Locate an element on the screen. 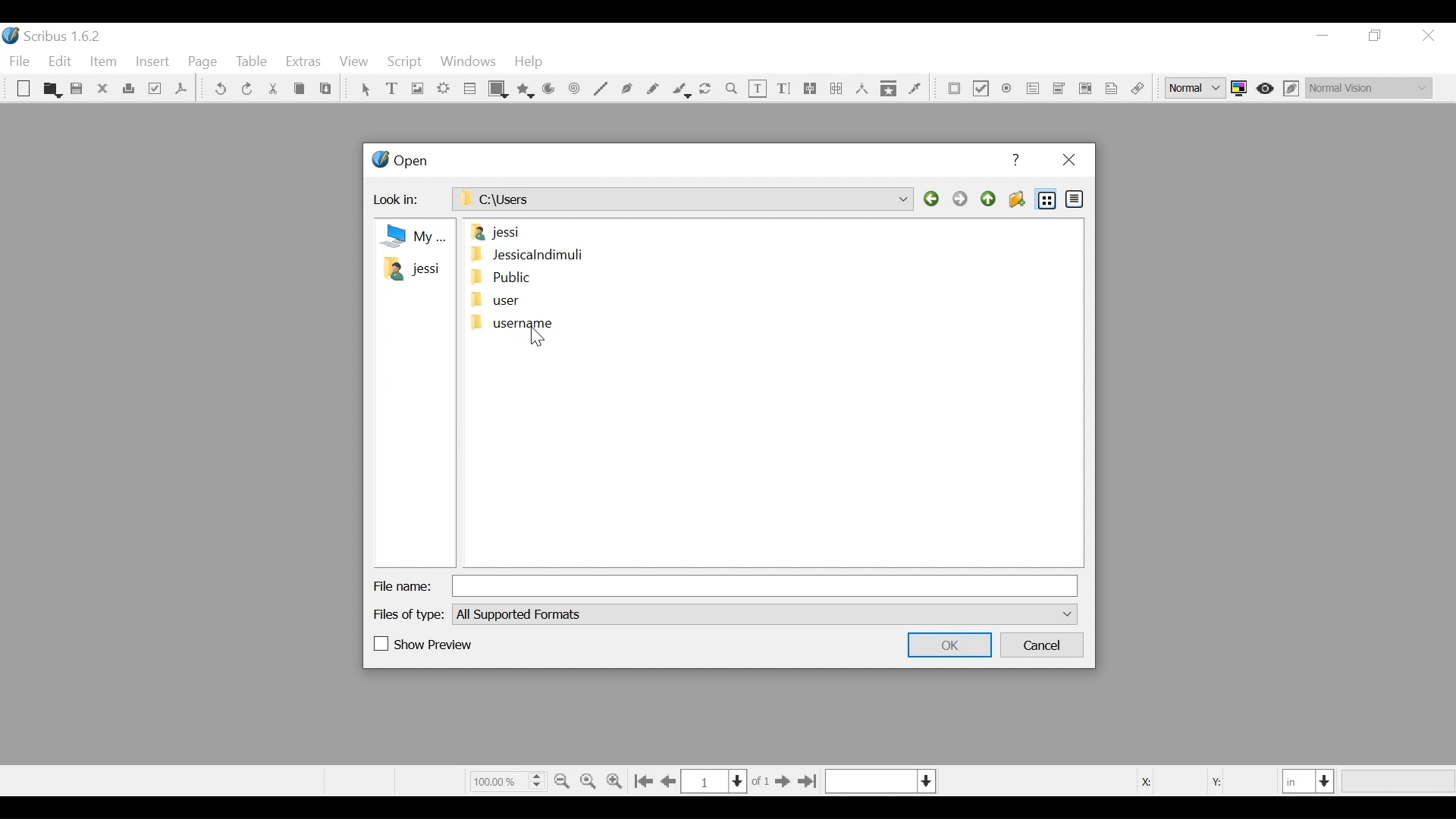  minimize is located at coordinates (1323, 36).